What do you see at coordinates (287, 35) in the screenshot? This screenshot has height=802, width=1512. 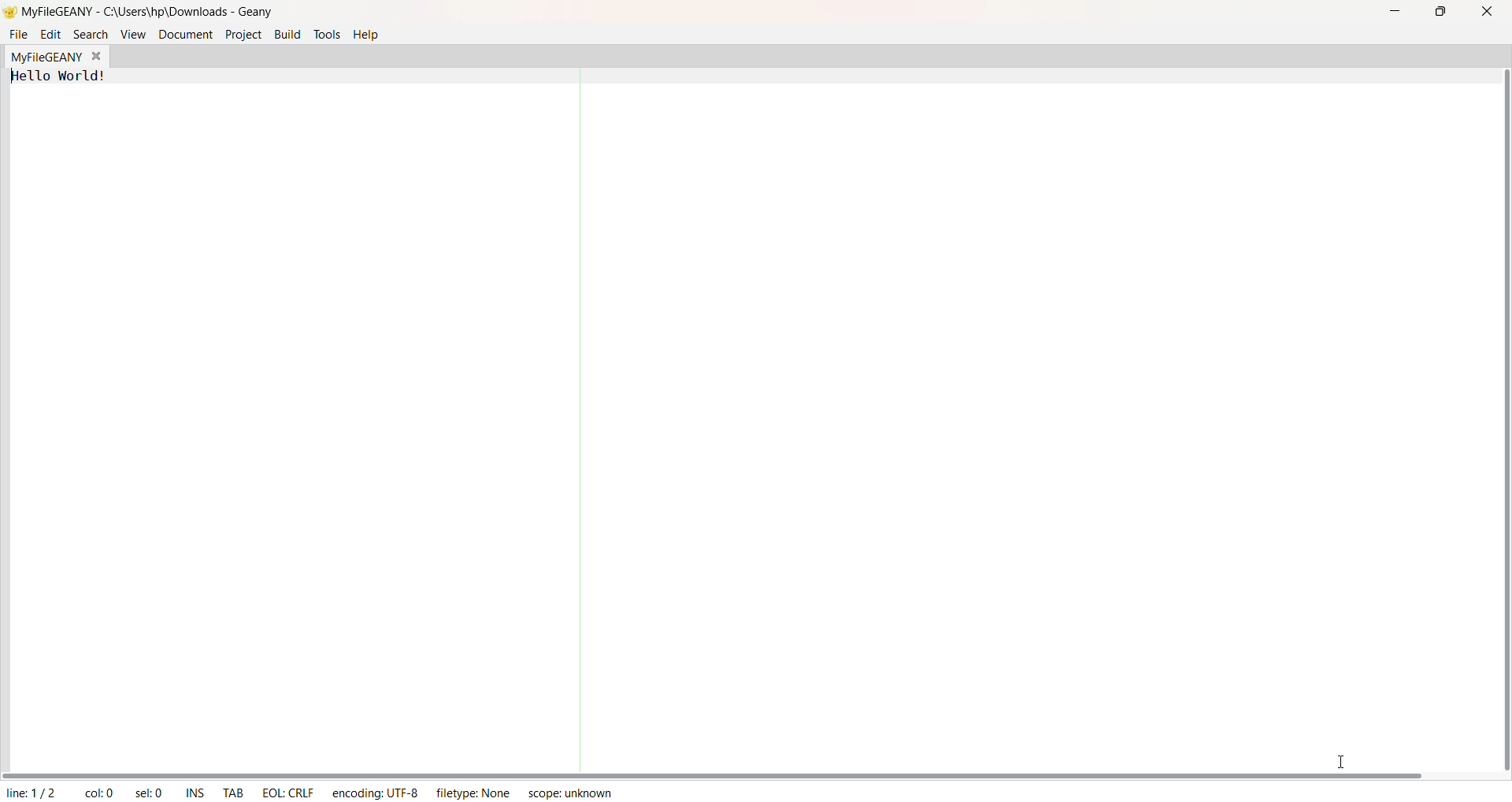 I see `Build` at bounding box center [287, 35].